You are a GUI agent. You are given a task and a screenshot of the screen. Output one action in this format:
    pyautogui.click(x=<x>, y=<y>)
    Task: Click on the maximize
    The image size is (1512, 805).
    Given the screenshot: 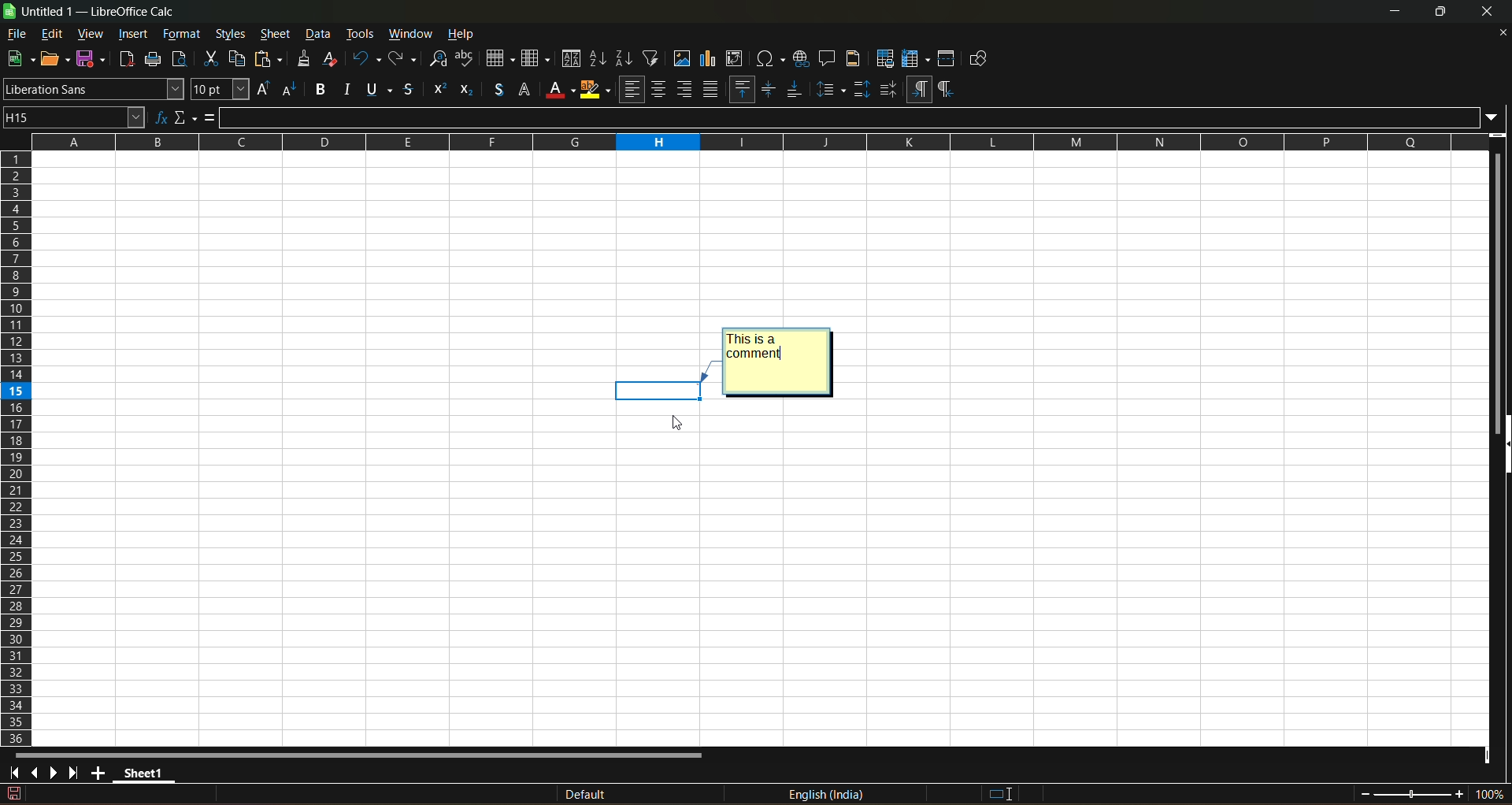 What is the action you would take?
    pyautogui.click(x=1439, y=12)
    